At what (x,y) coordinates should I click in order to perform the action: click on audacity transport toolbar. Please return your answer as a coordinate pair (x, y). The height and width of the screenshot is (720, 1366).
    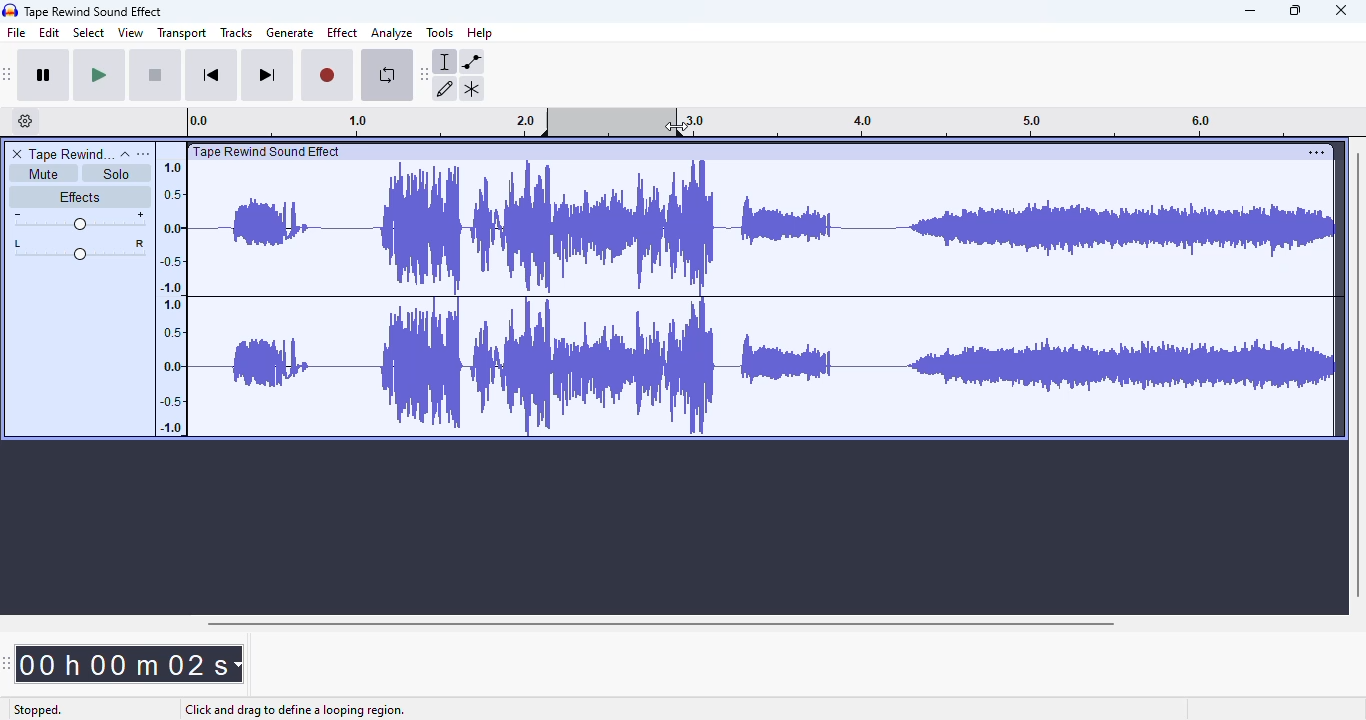
    Looking at the image, I should click on (7, 75).